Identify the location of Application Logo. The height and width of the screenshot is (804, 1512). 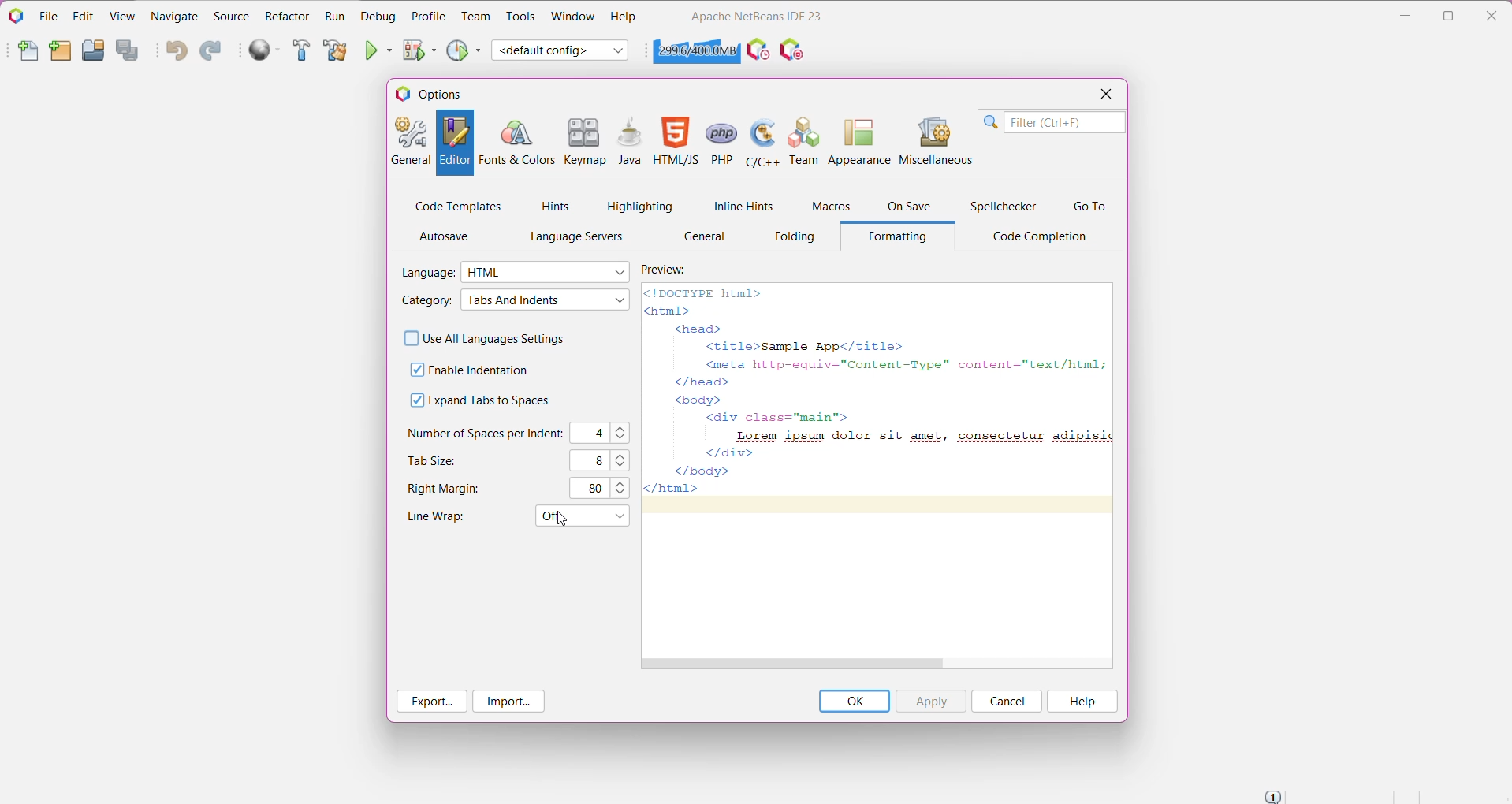
(15, 15).